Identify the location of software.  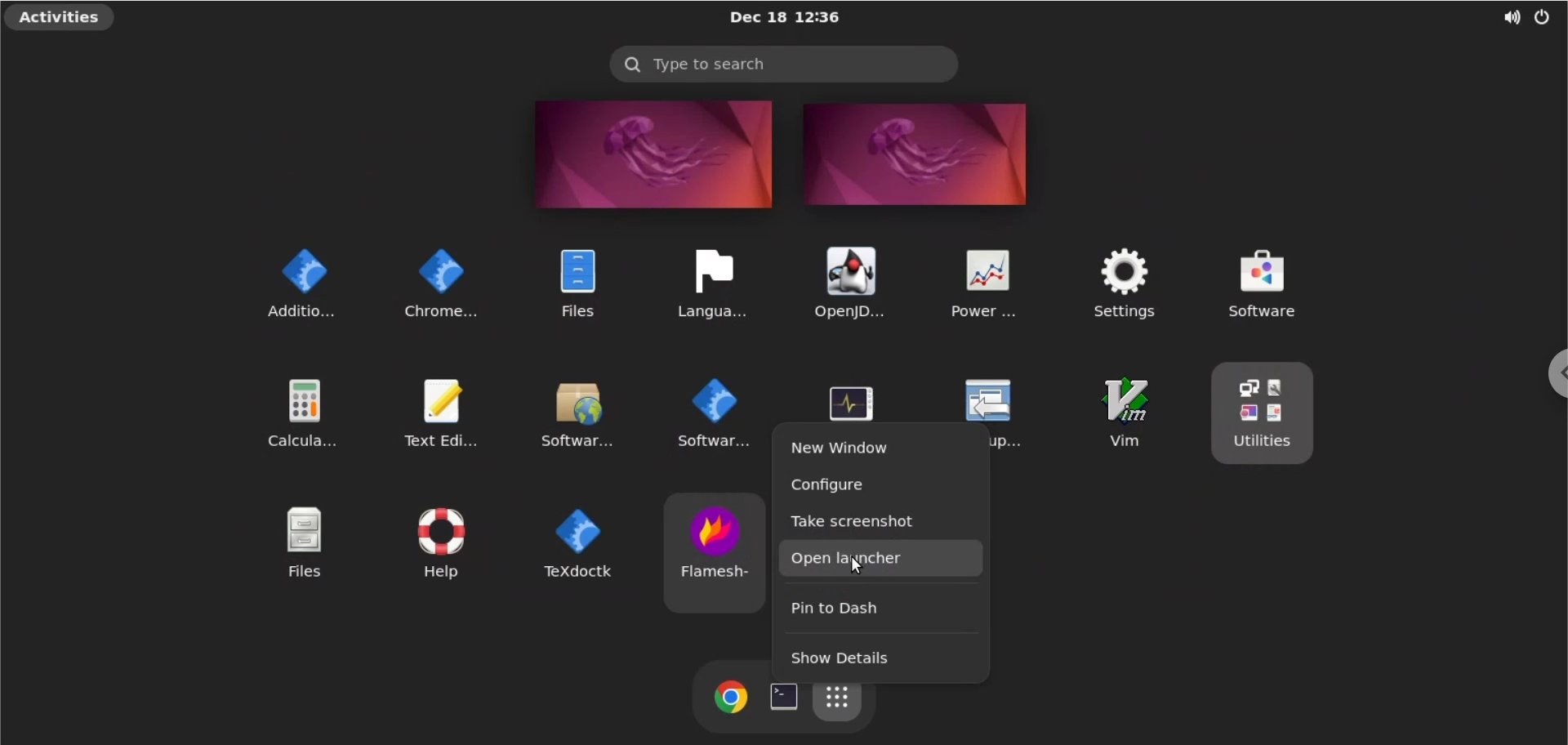
(1296, 282).